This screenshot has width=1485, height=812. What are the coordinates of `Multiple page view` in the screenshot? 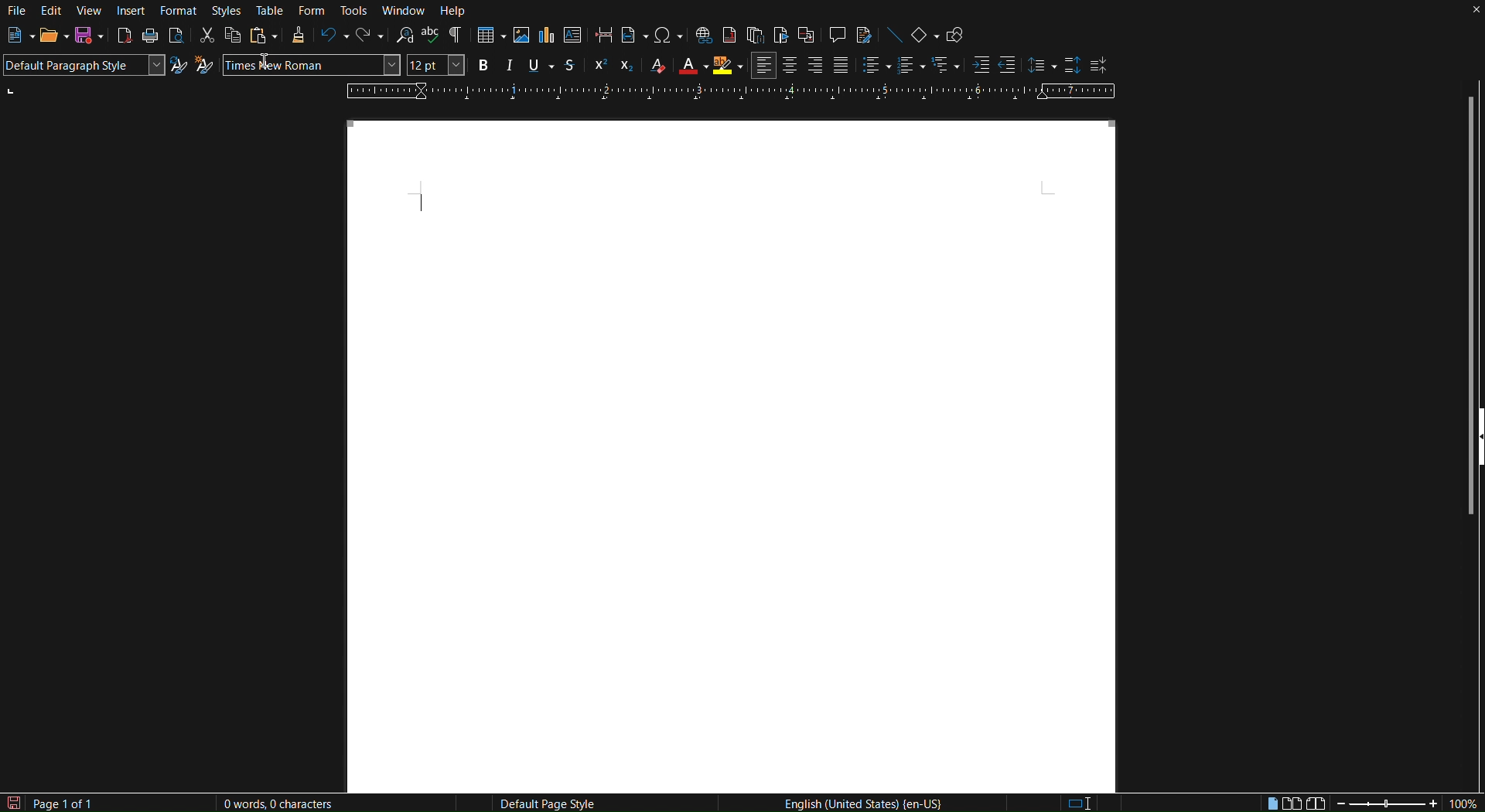 It's located at (1293, 801).